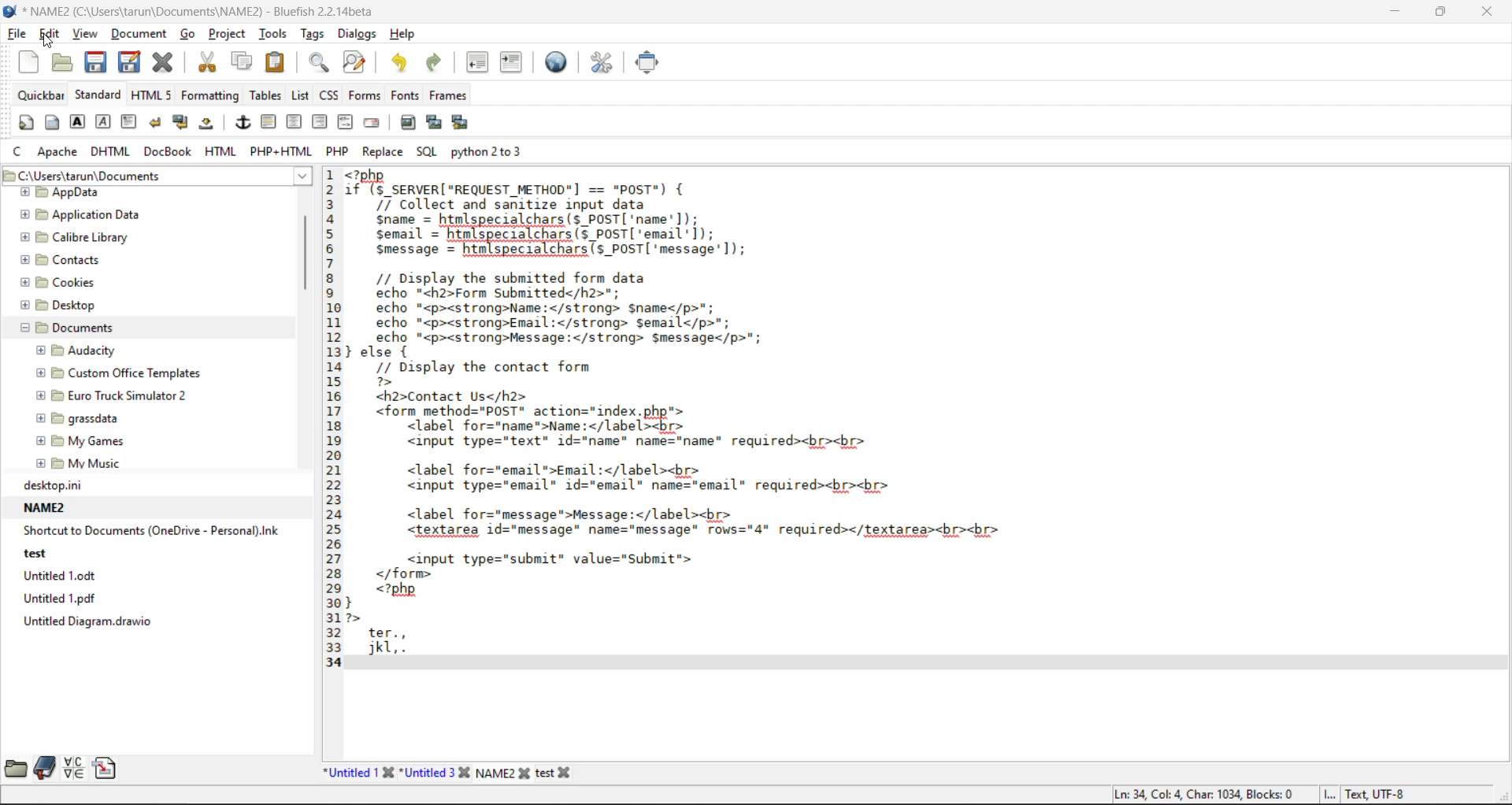 This screenshot has width=1512, height=805. What do you see at coordinates (61, 304) in the screenshot?
I see `Desktop` at bounding box center [61, 304].